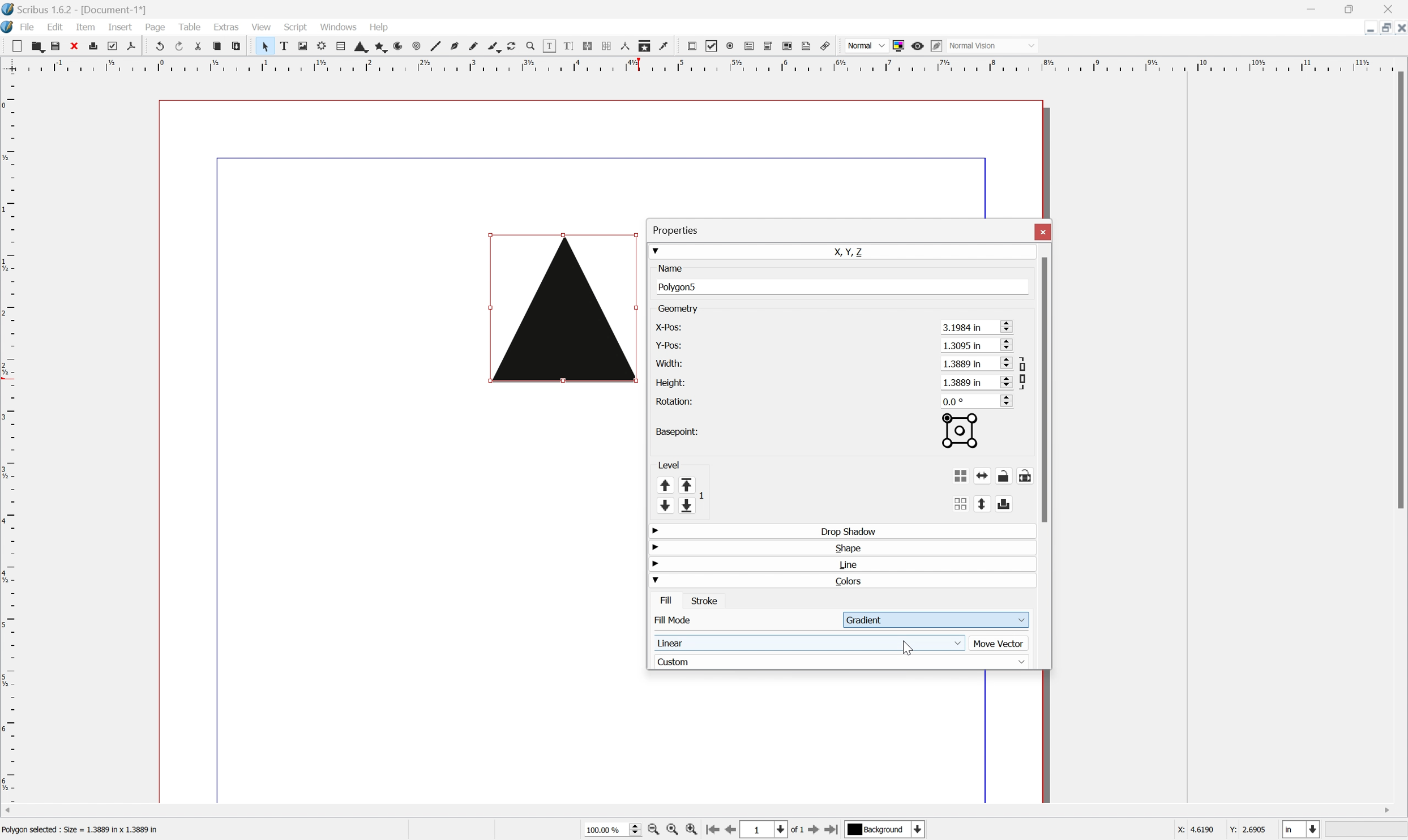 The height and width of the screenshot is (840, 1408). Describe the element at coordinates (957, 644) in the screenshot. I see `Drop Down` at that location.